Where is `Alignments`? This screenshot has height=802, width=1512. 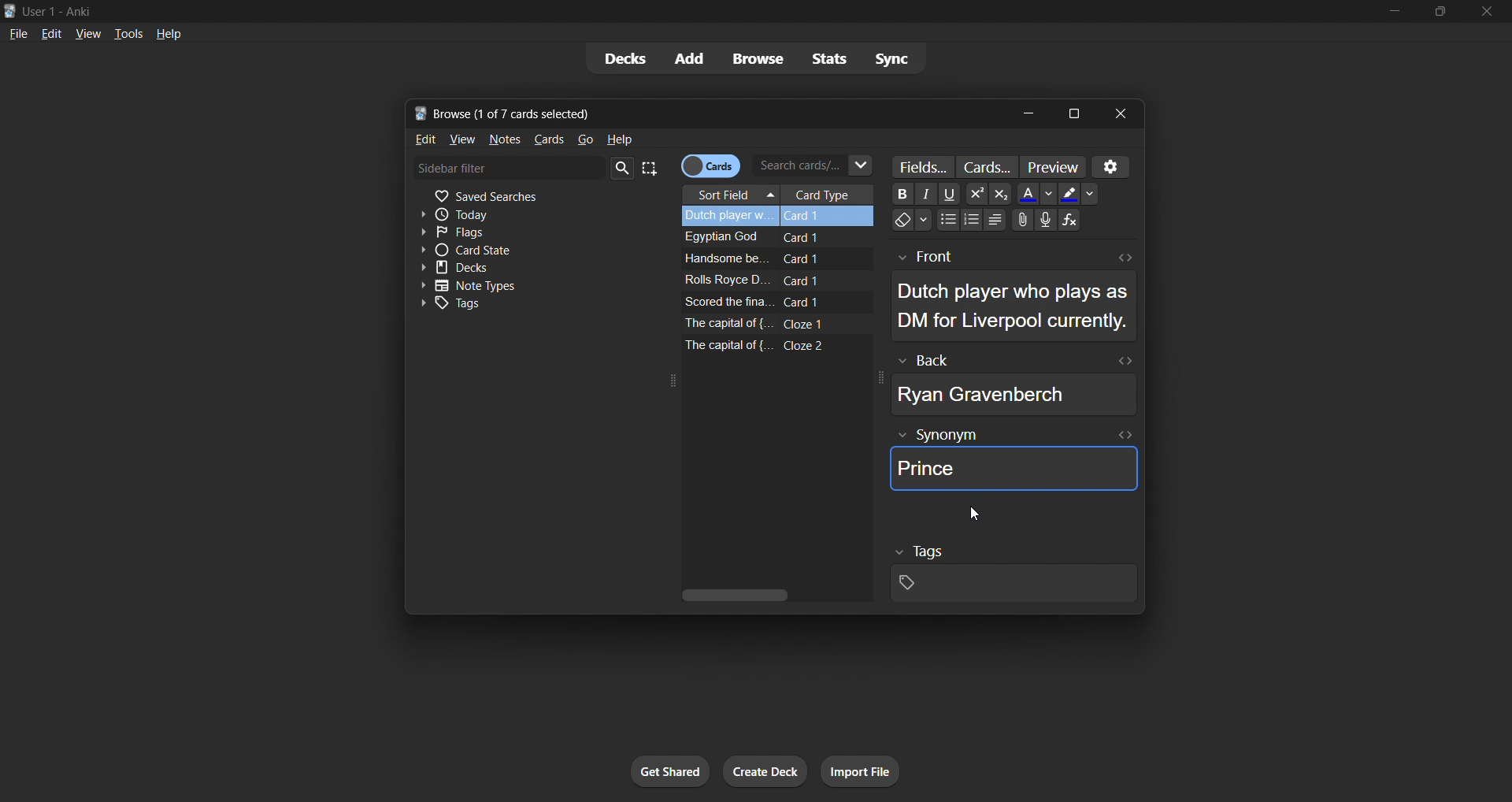
Alignments is located at coordinates (995, 221).